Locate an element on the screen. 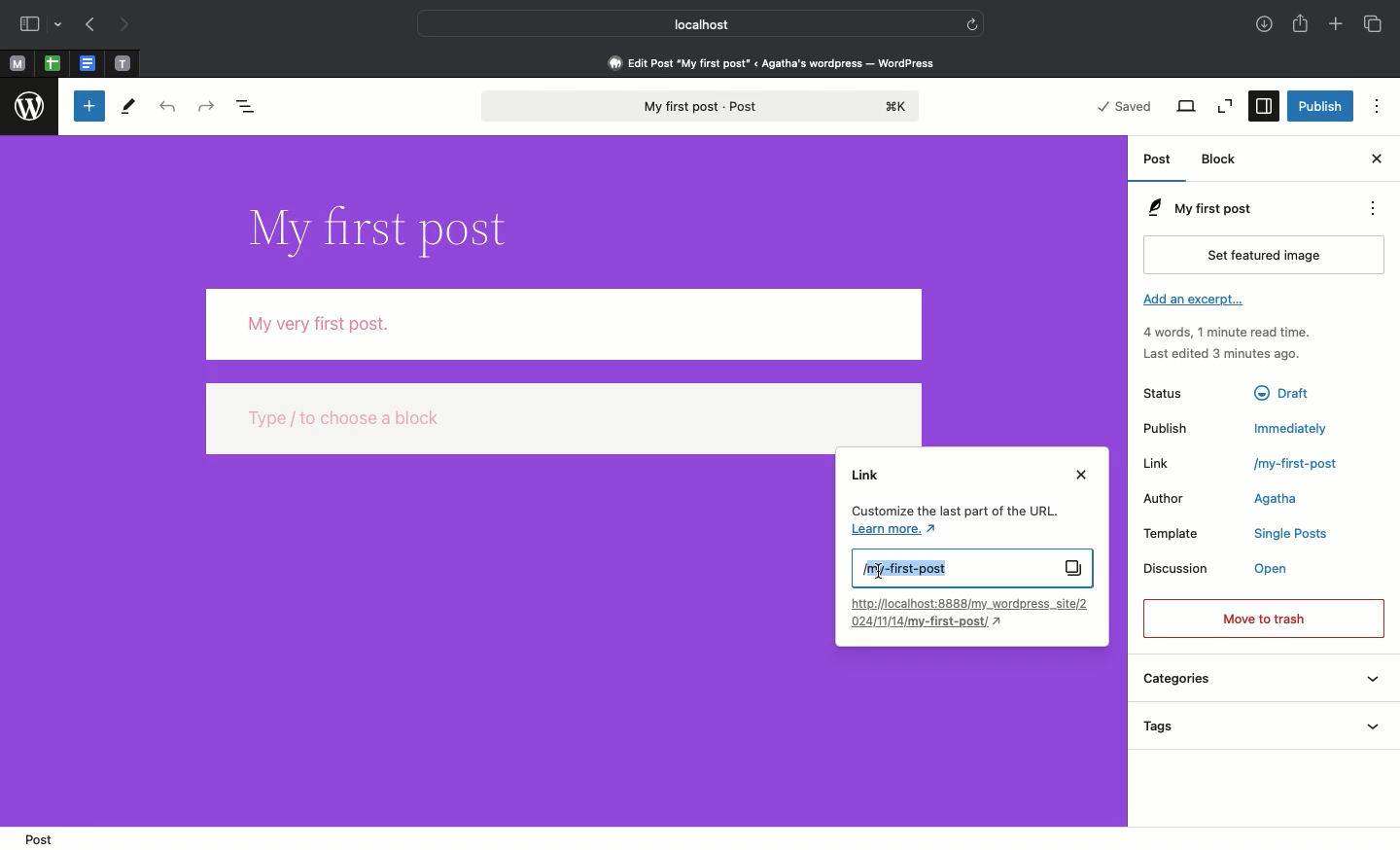 This screenshot has height=850, width=1400. Block is located at coordinates (1226, 160).